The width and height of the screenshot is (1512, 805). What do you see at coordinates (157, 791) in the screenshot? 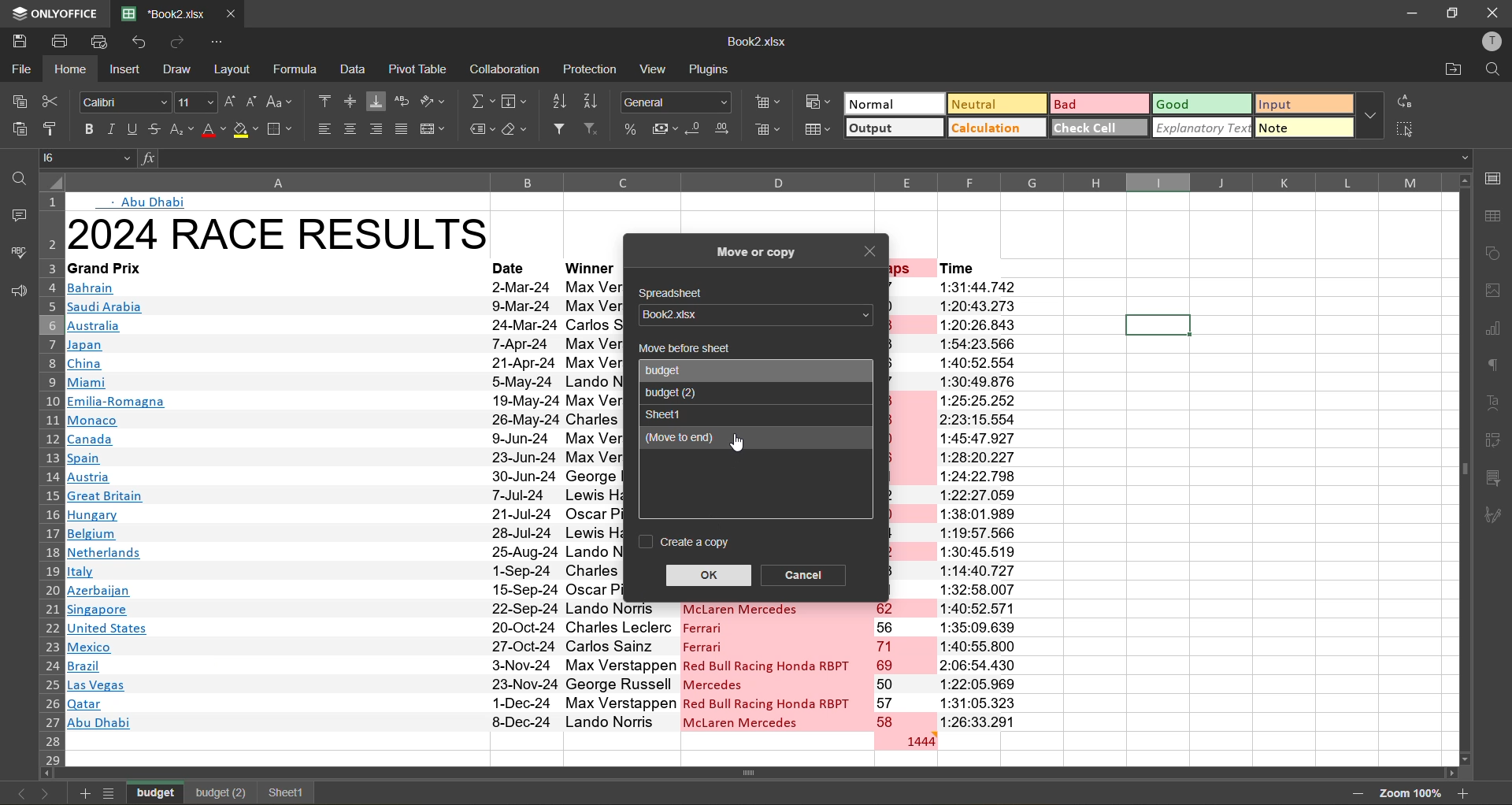
I see `sheet names` at bounding box center [157, 791].